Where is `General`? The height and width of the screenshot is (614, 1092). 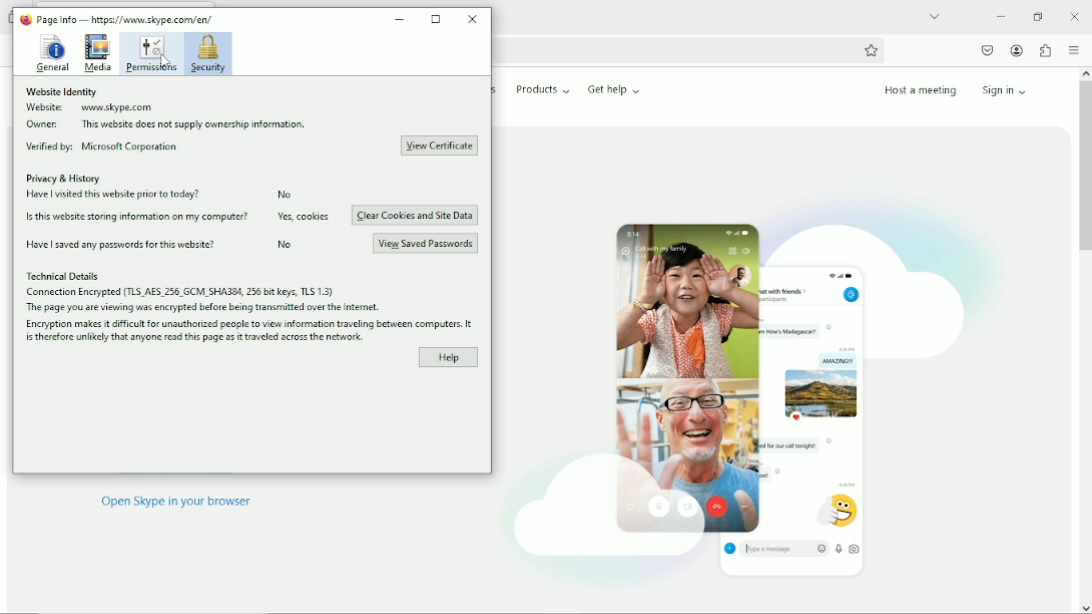 General is located at coordinates (51, 52).